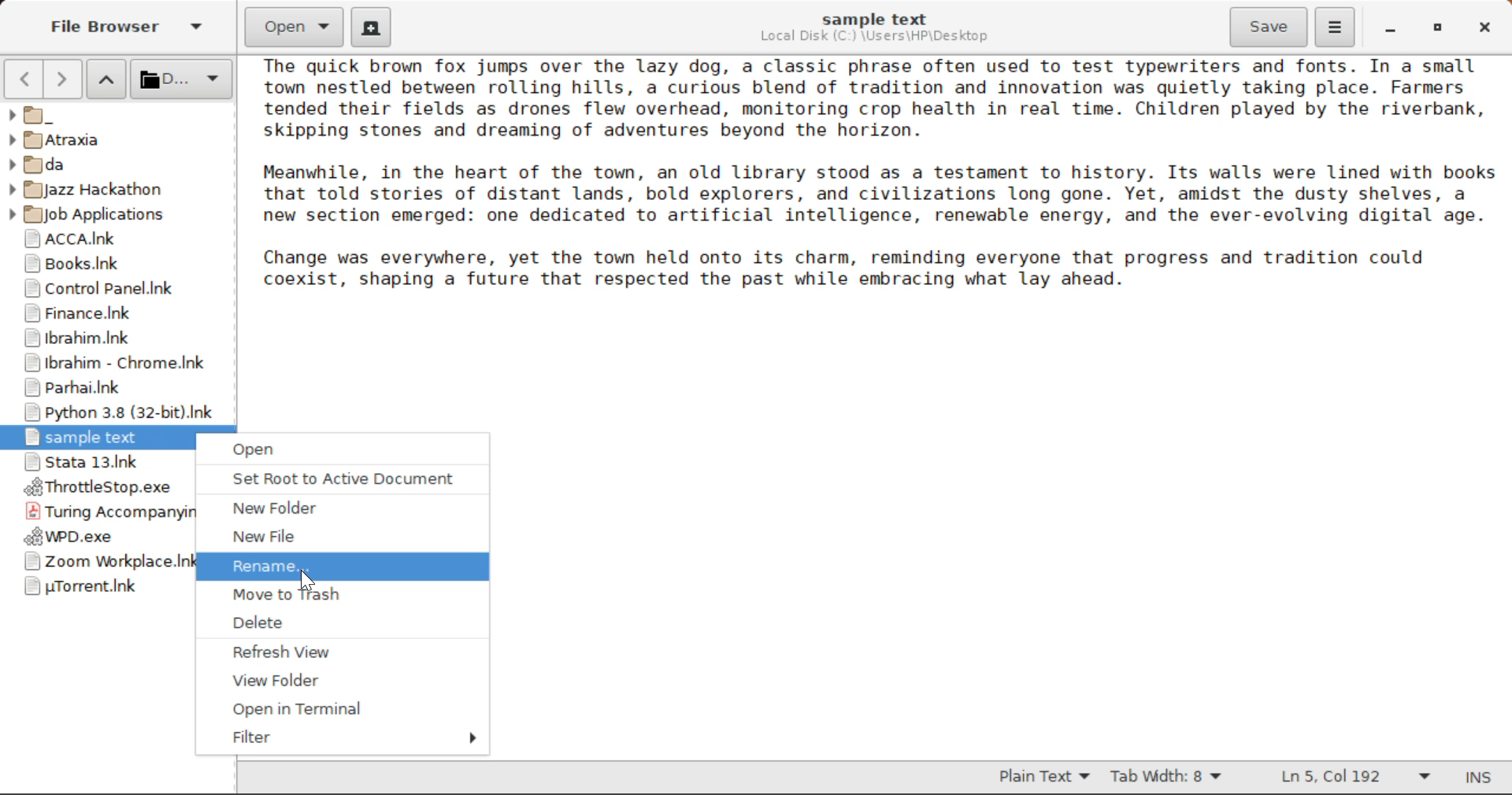  Describe the element at coordinates (117, 288) in the screenshot. I see `Control Panel Shortcut` at that location.